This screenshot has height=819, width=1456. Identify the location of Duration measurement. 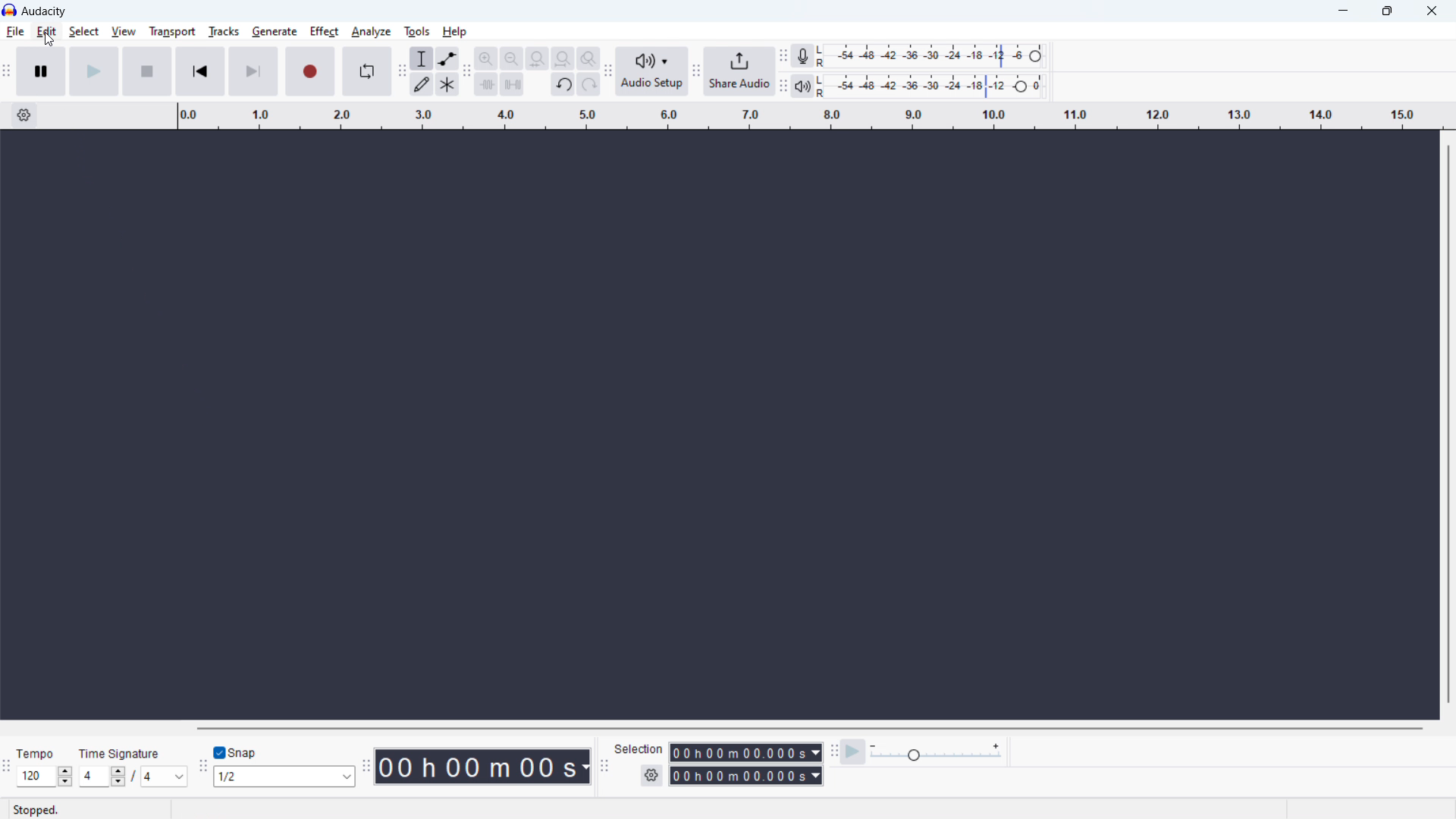
(586, 767).